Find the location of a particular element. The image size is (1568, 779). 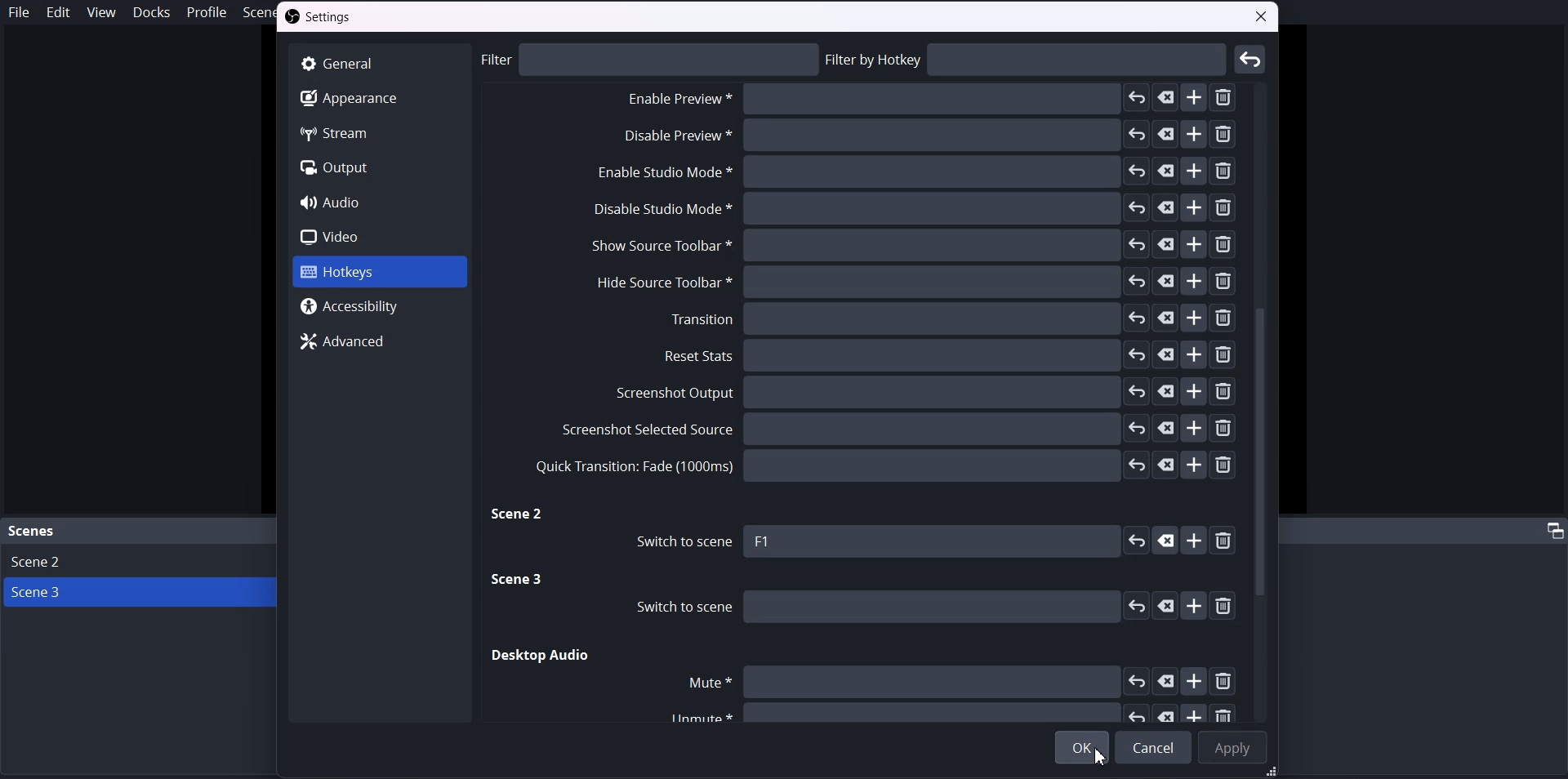

Disable Preview is located at coordinates (924, 101).